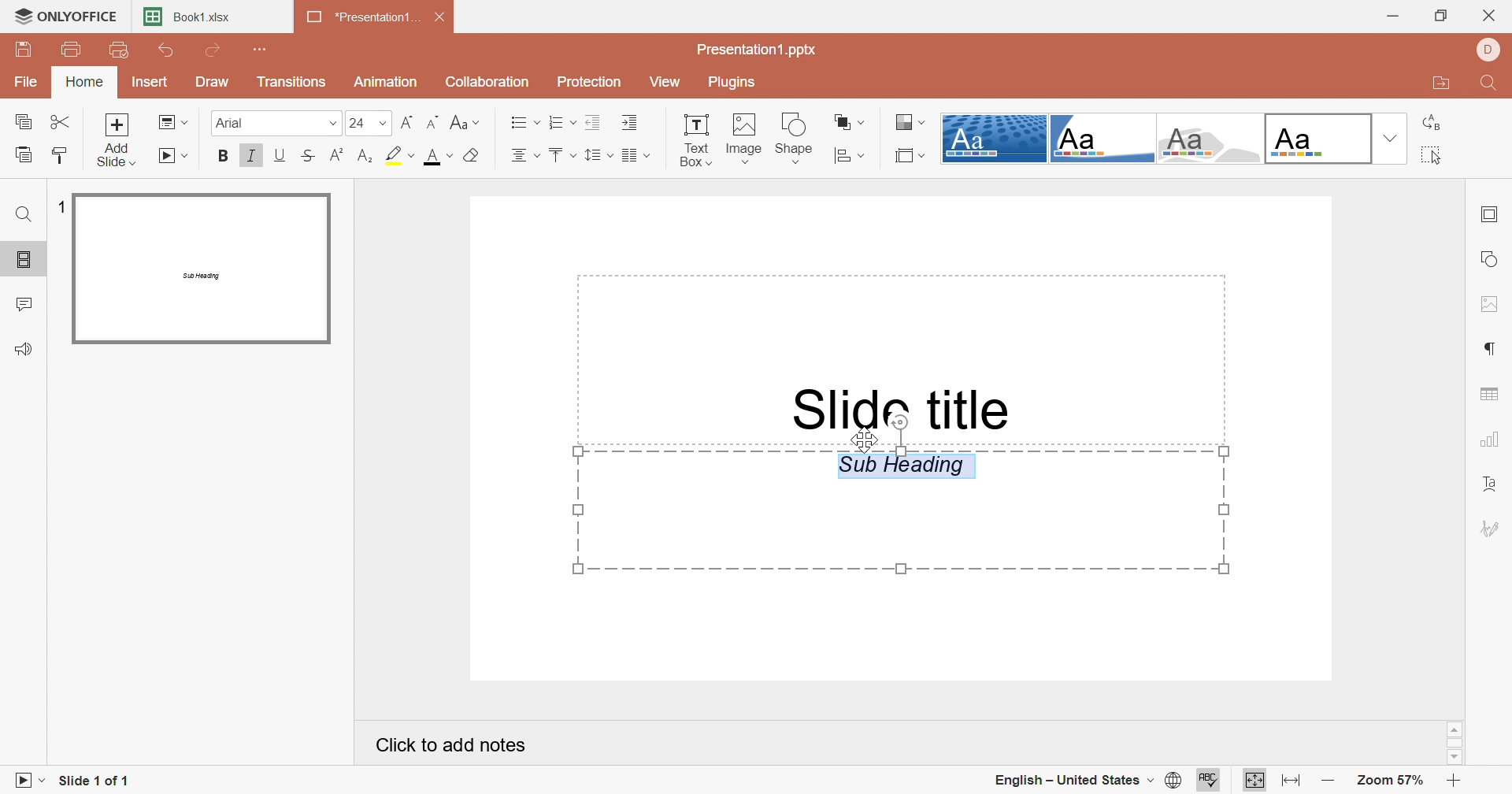  I want to click on Underline, so click(283, 155).